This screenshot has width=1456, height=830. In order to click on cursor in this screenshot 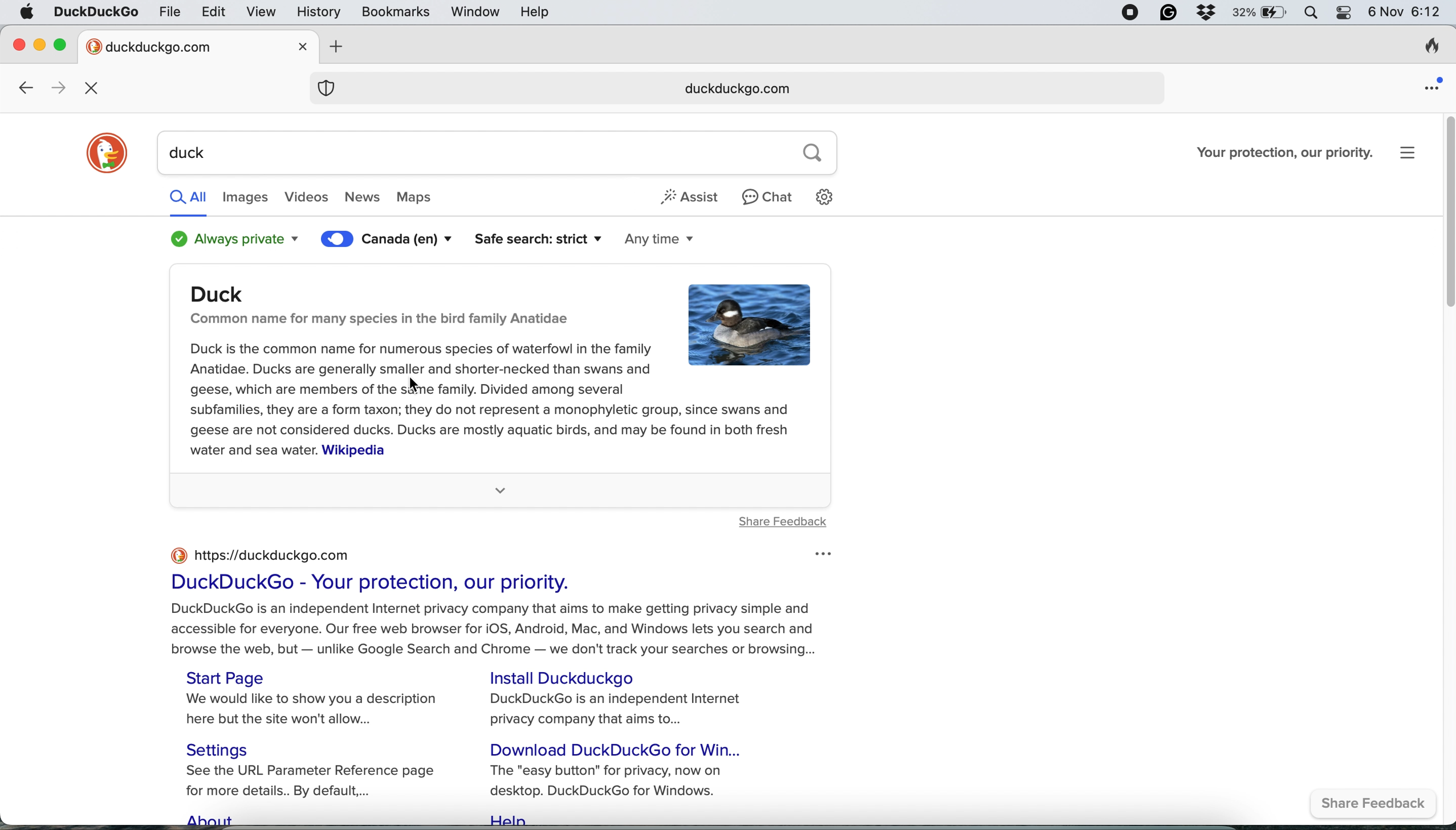, I will do `click(421, 386)`.